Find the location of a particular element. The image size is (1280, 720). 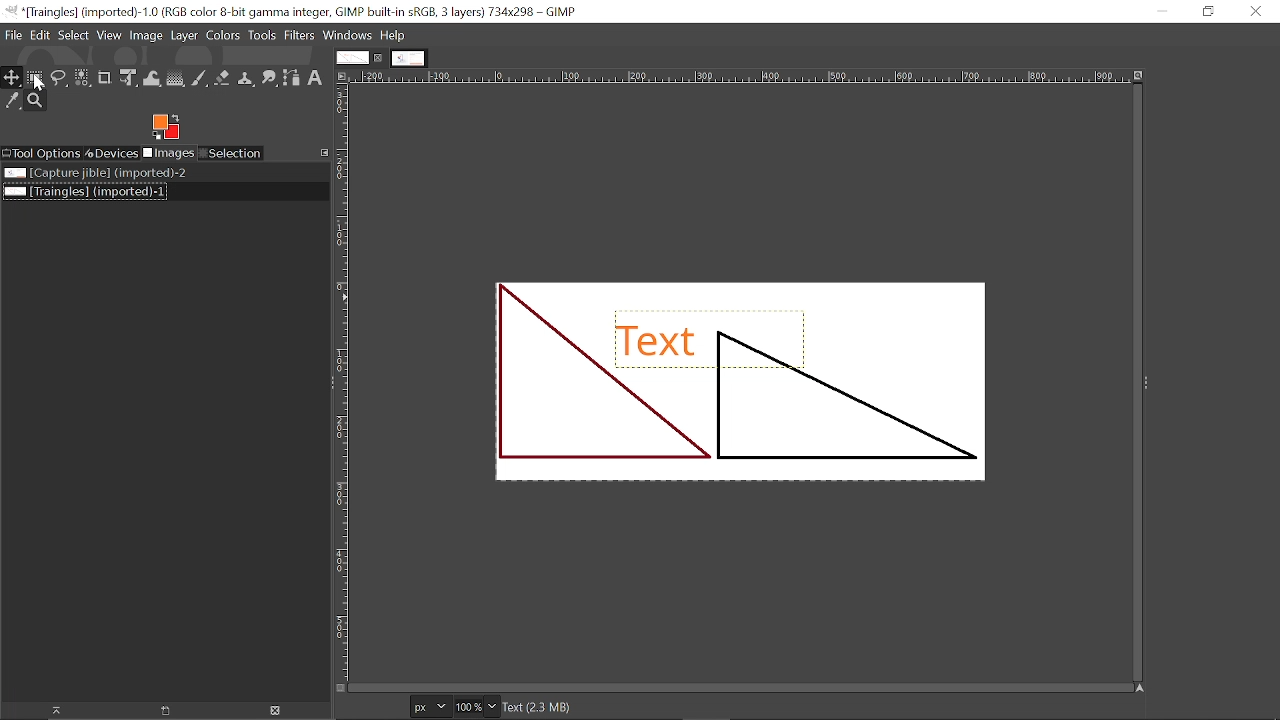

Free select is located at coordinates (60, 77).